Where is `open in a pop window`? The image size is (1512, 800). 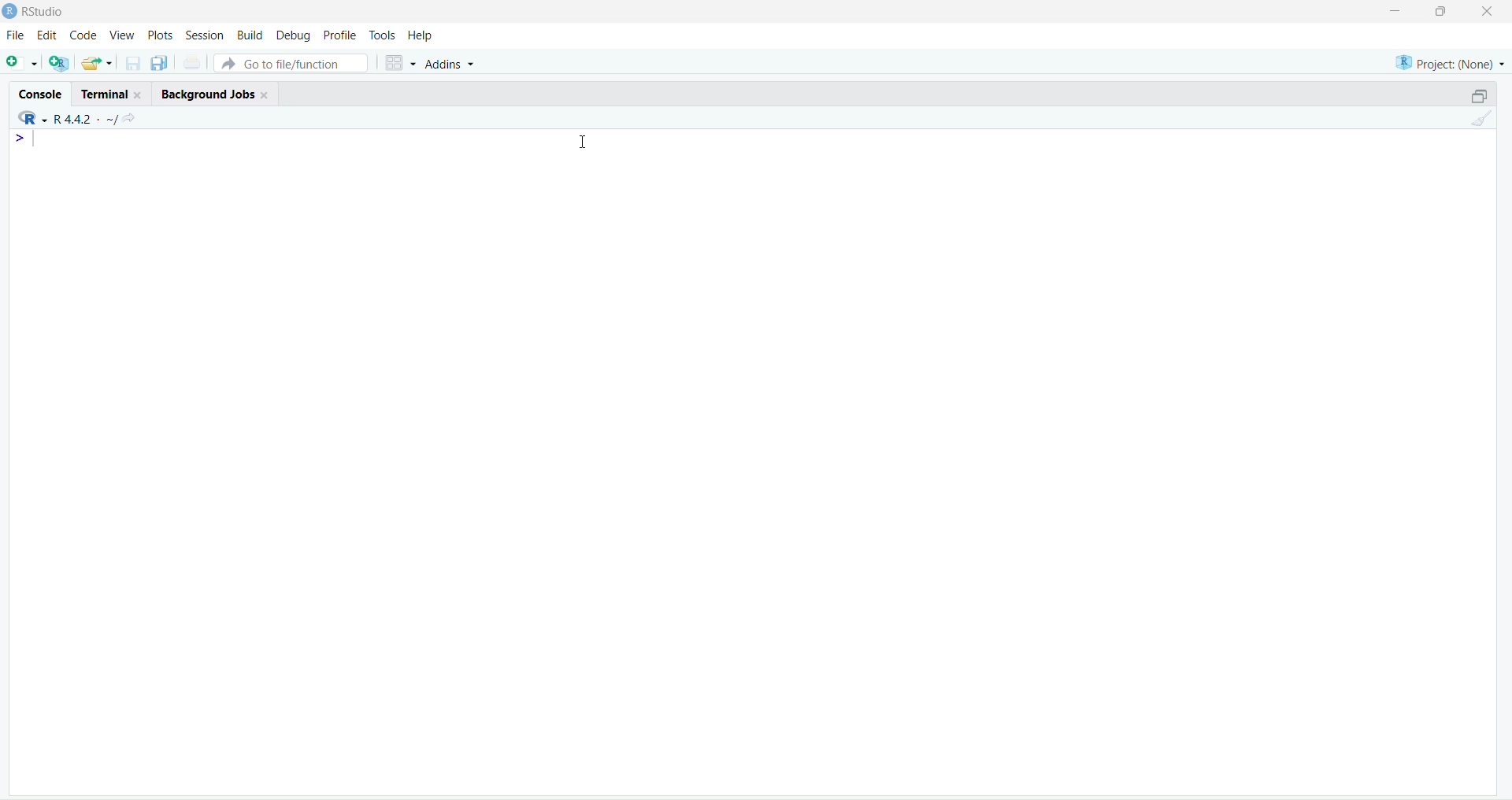 open in a pop window is located at coordinates (1478, 96).